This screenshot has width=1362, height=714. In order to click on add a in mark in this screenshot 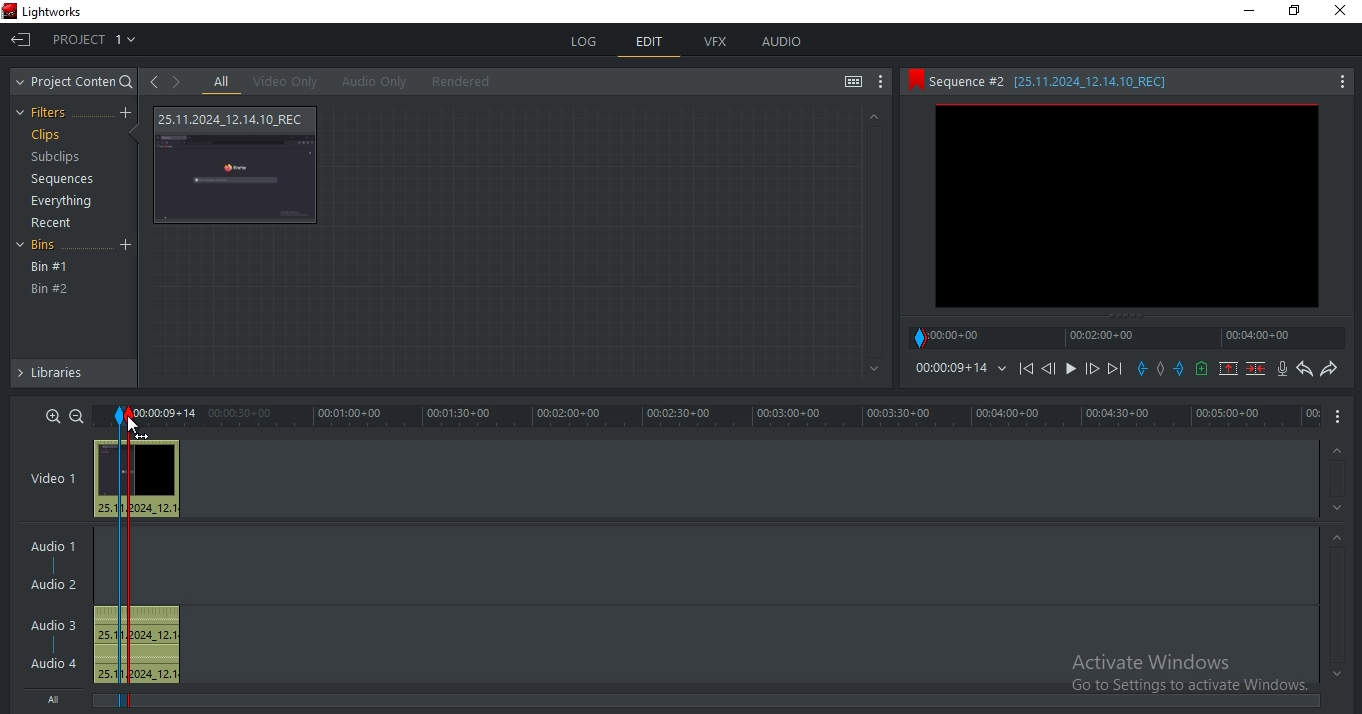, I will do `click(1143, 369)`.